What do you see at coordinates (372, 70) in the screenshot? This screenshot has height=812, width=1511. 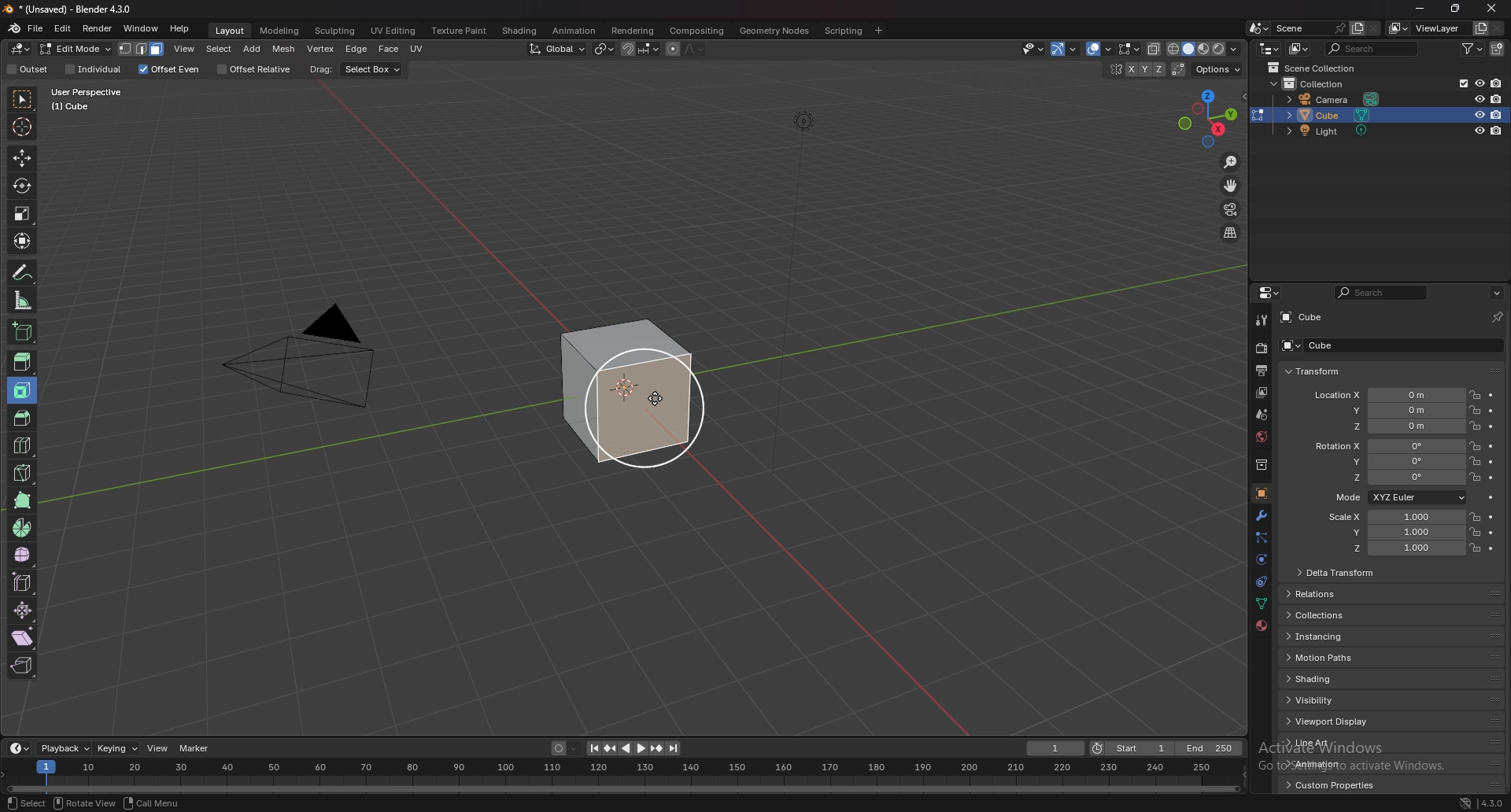 I see `select box` at bounding box center [372, 70].